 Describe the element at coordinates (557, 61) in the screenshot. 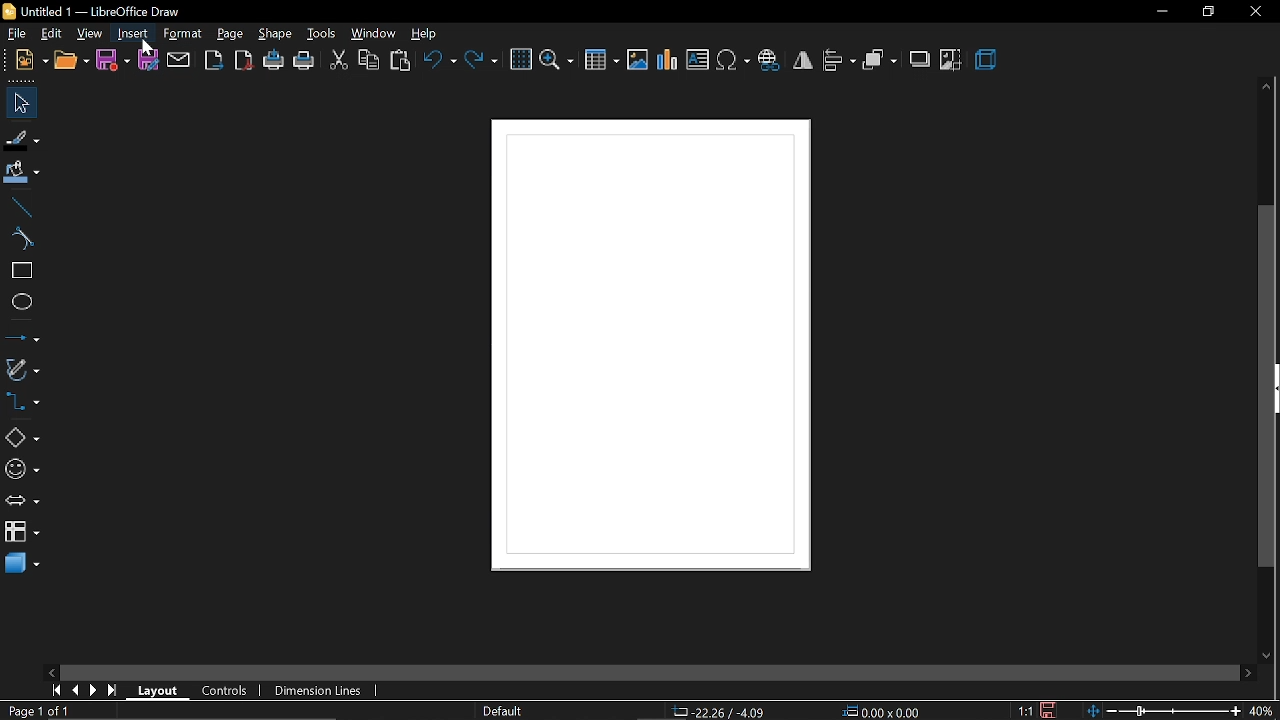

I see `zoom` at that location.